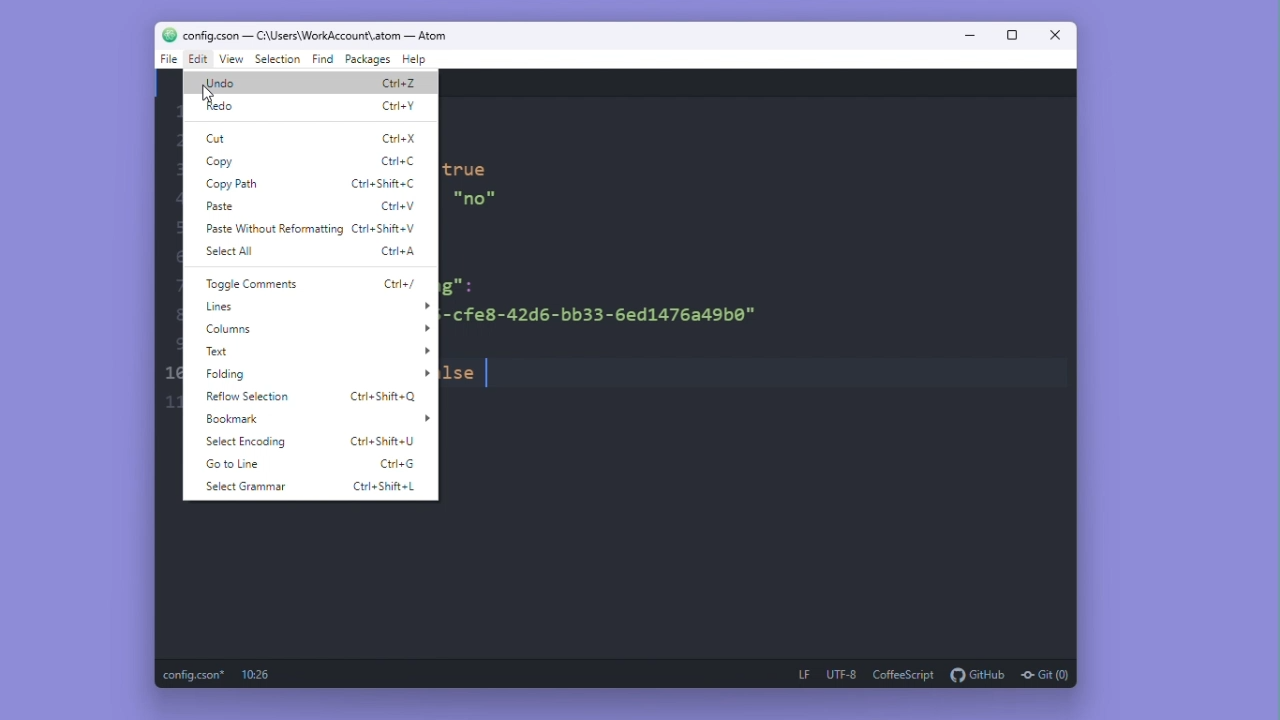 The height and width of the screenshot is (720, 1280). Describe the element at coordinates (903, 673) in the screenshot. I see `coffeescript` at that location.